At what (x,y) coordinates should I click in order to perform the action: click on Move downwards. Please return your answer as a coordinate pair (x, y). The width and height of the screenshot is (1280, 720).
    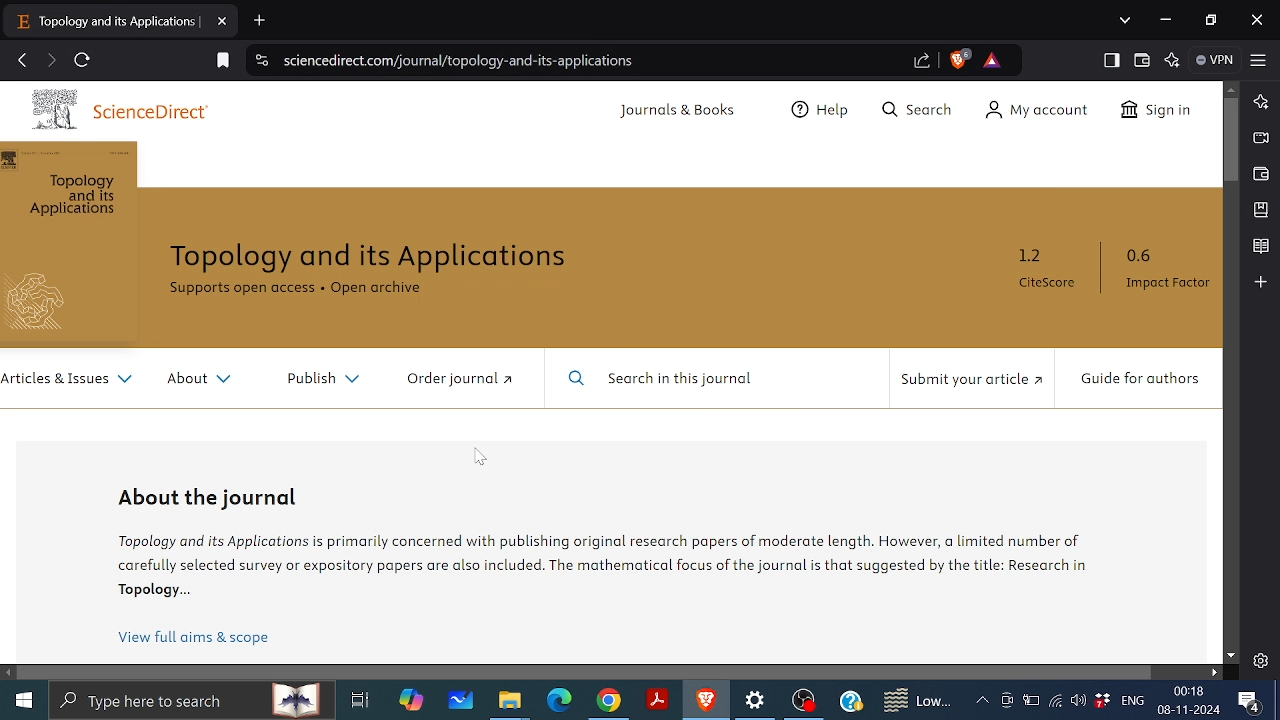
    Looking at the image, I should click on (1230, 657).